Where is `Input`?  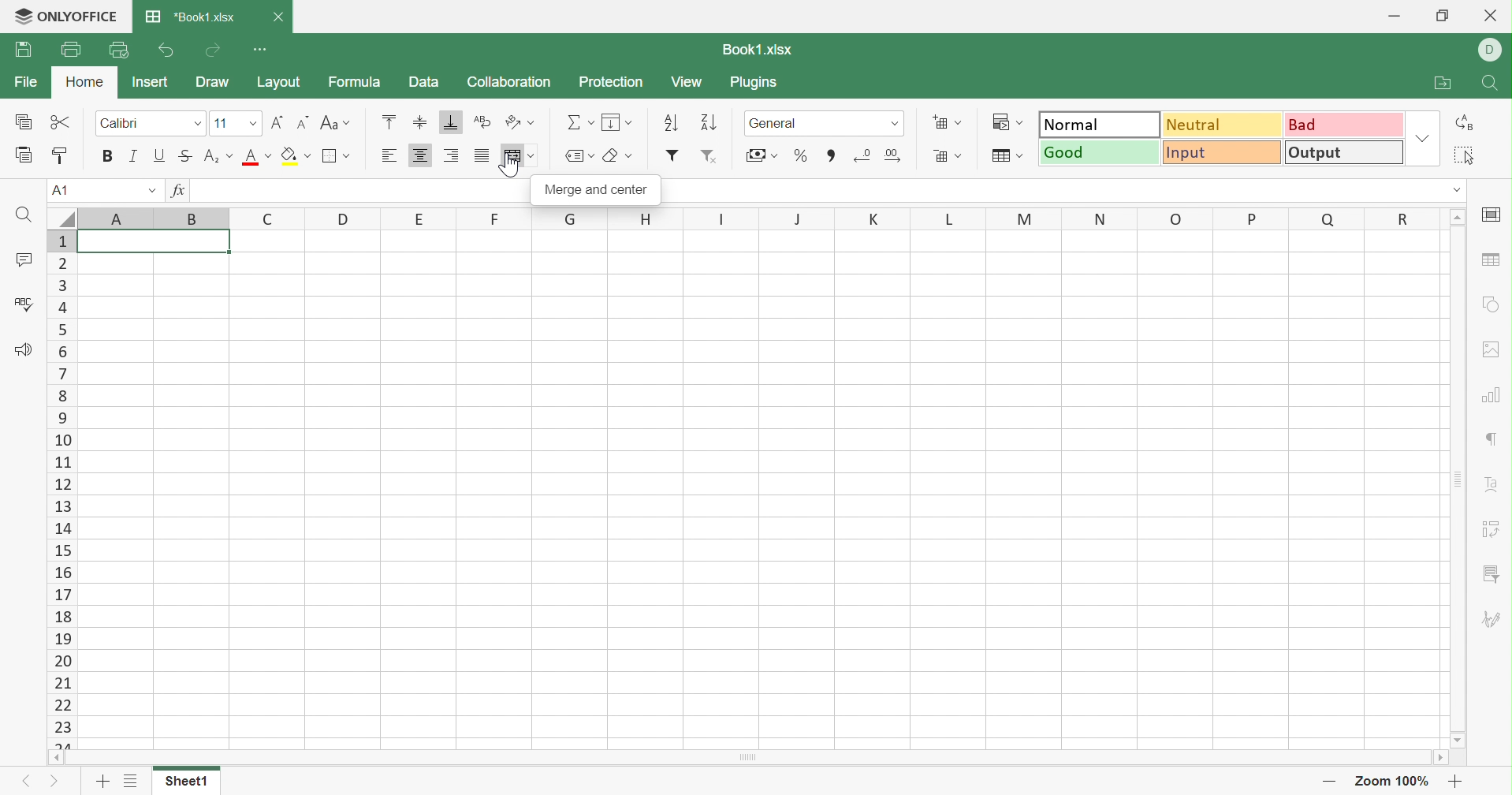
Input is located at coordinates (1223, 151).